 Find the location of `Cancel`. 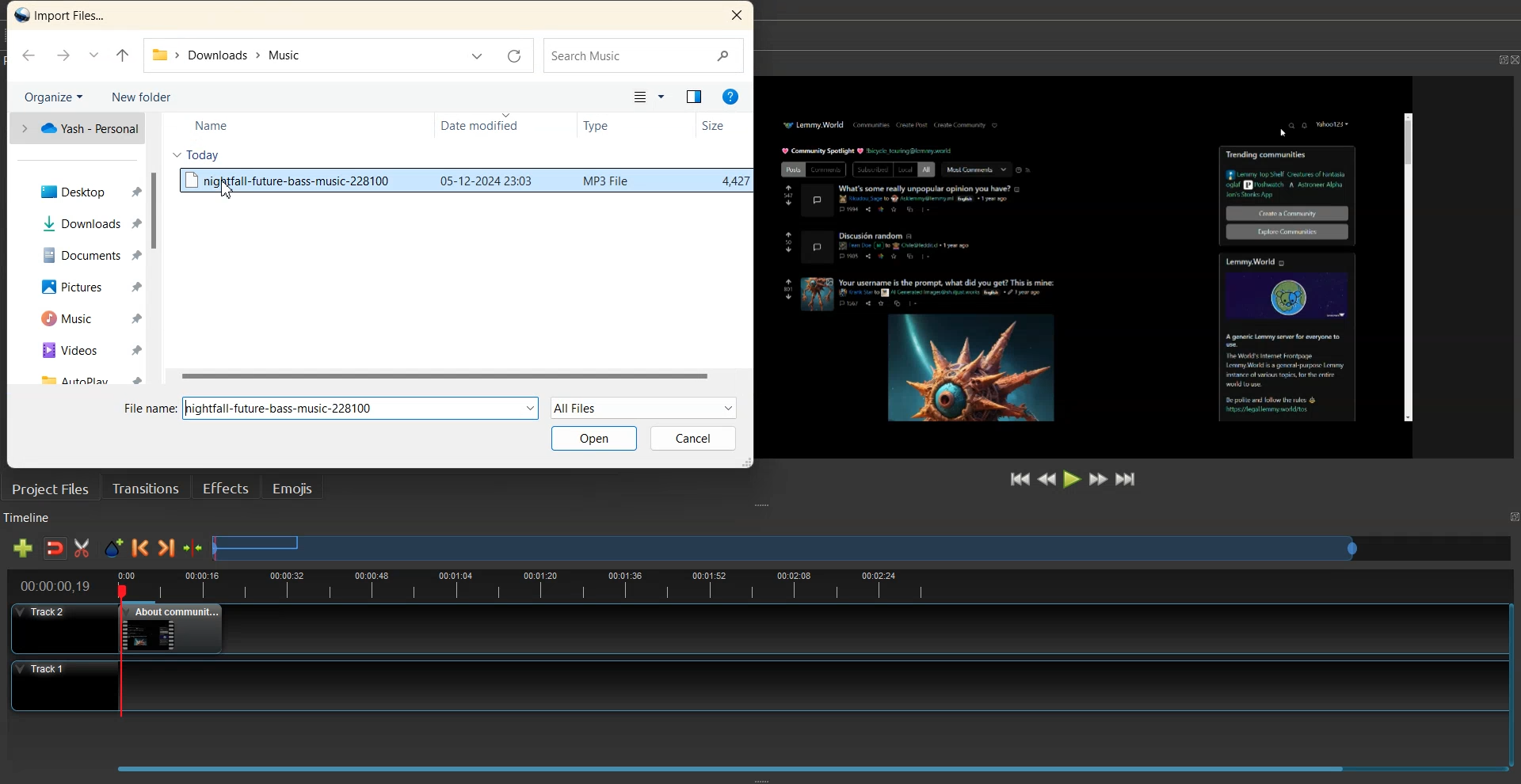

Cancel is located at coordinates (693, 439).